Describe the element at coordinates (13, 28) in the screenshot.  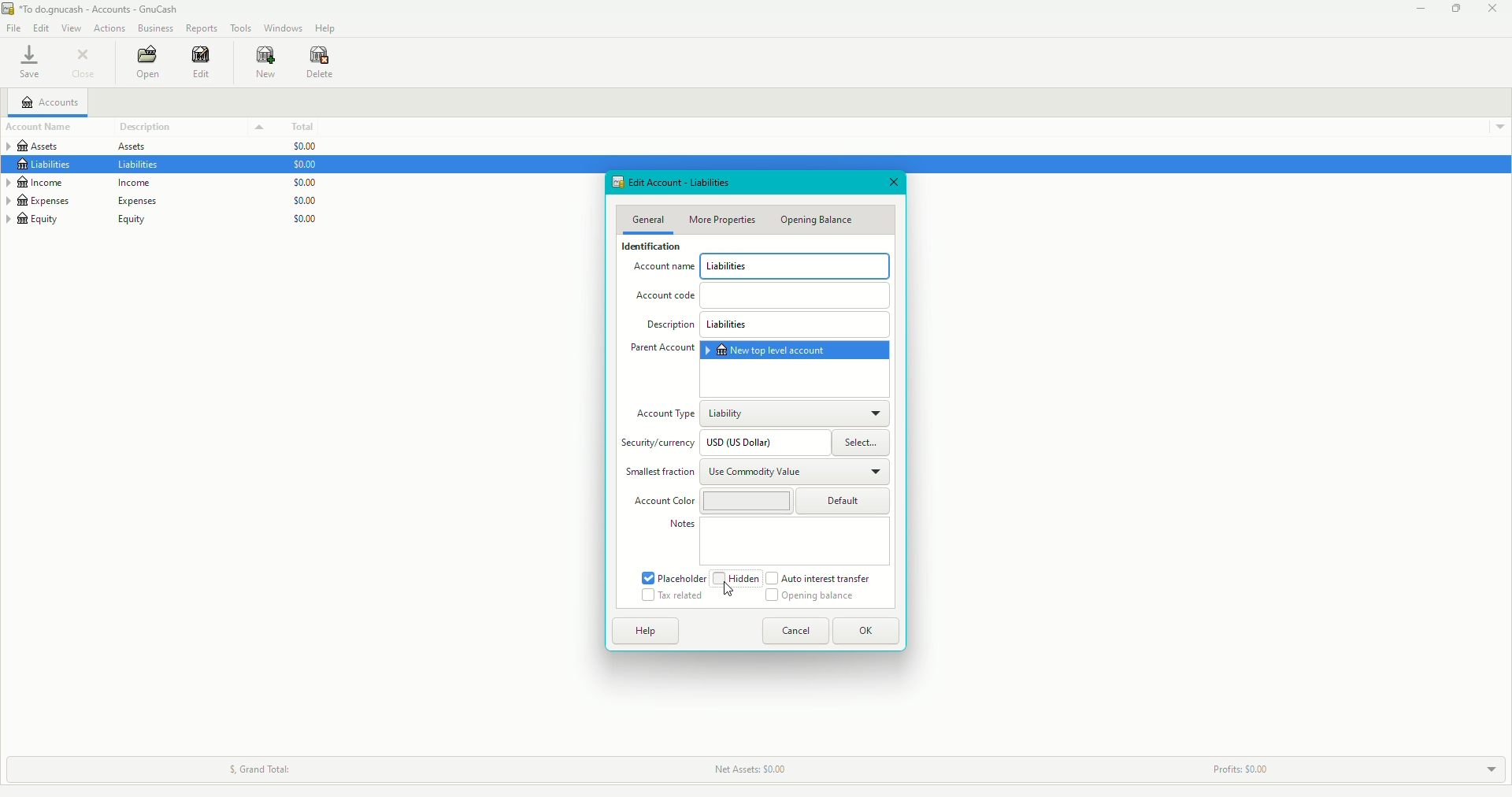
I see `File` at that location.